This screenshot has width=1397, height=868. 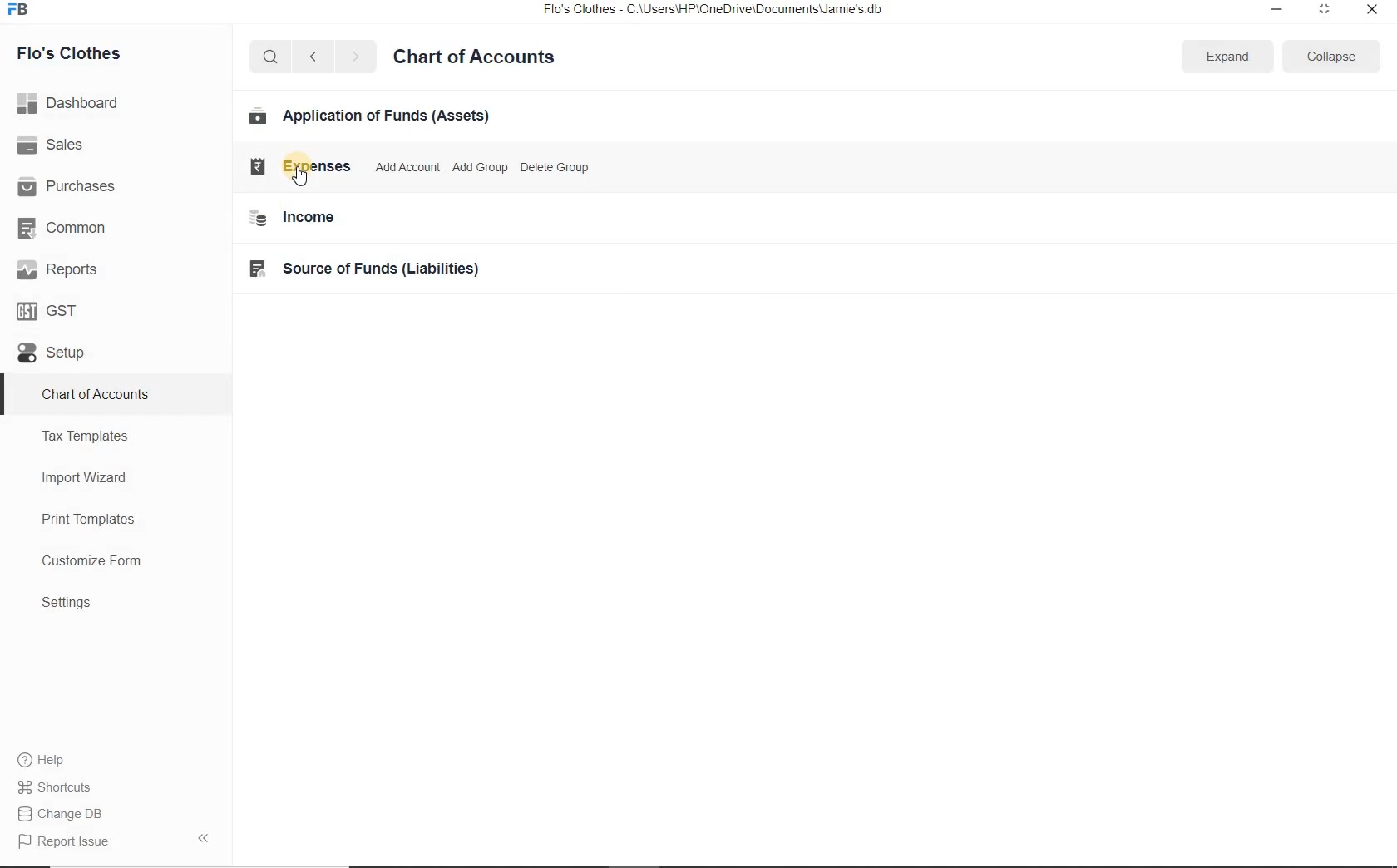 What do you see at coordinates (67, 602) in the screenshot?
I see `Settings` at bounding box center [67, 602].